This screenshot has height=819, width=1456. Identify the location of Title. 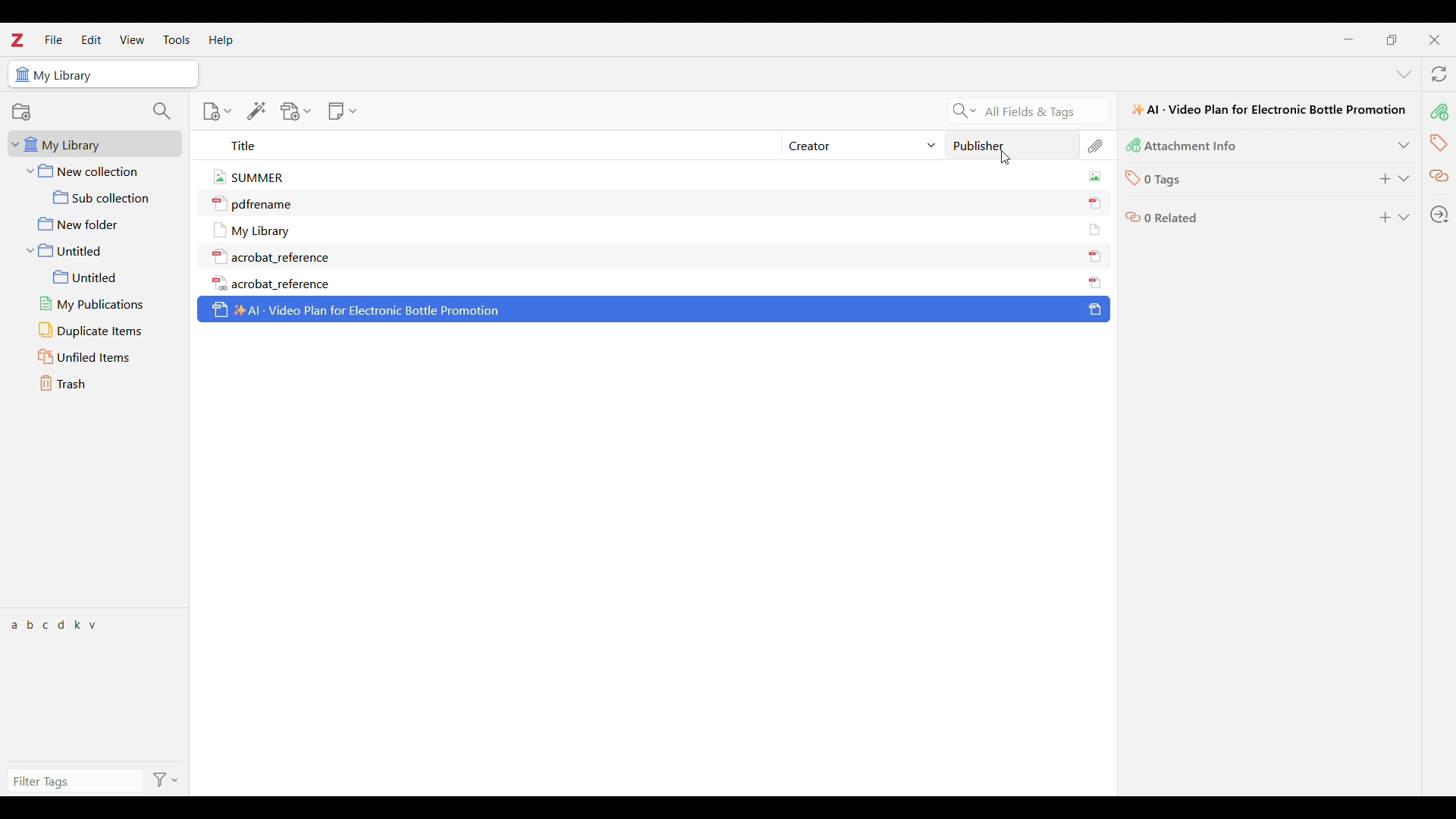
(487, 145).